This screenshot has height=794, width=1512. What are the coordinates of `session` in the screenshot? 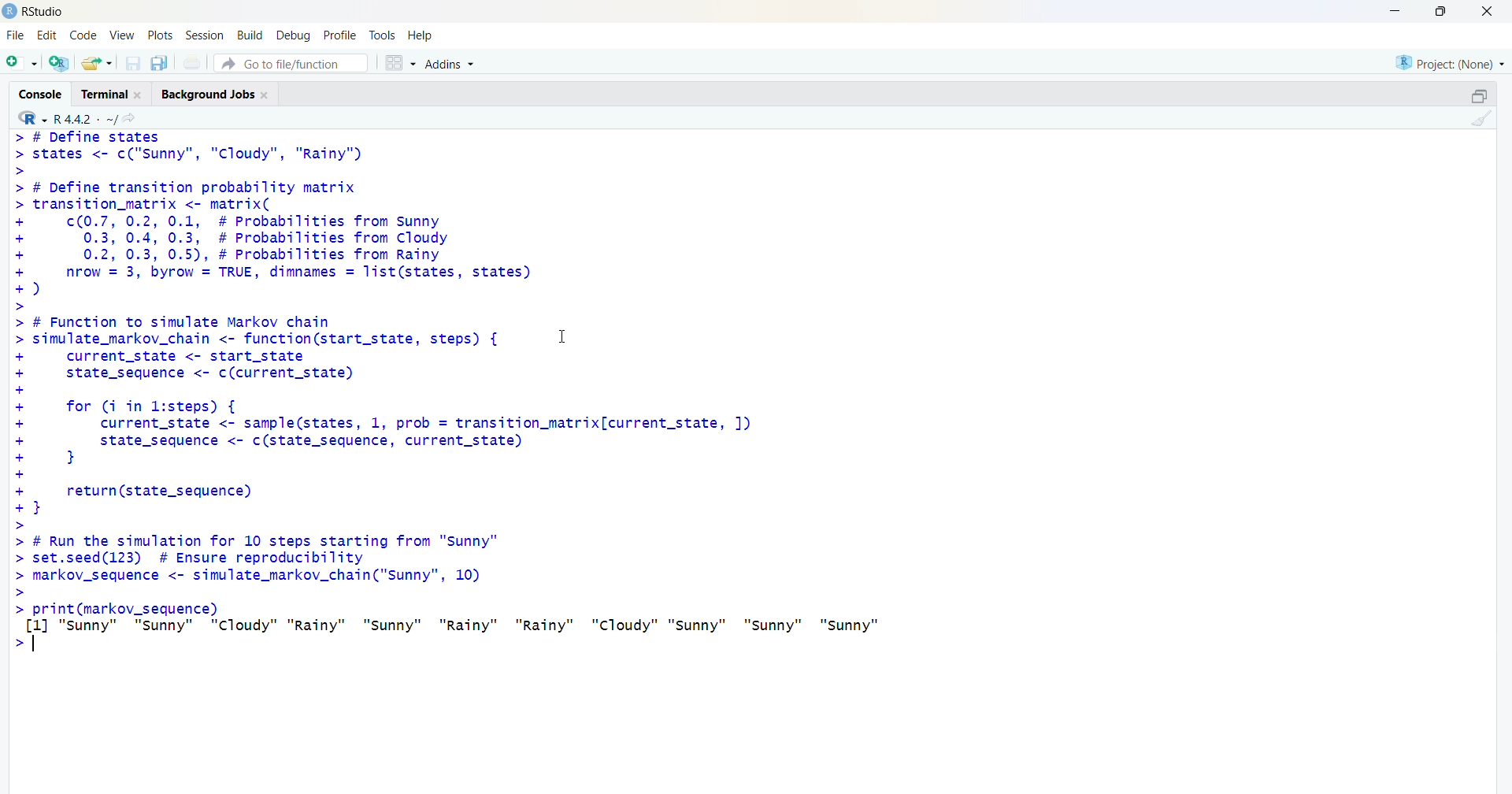 It's located at (206, 35).